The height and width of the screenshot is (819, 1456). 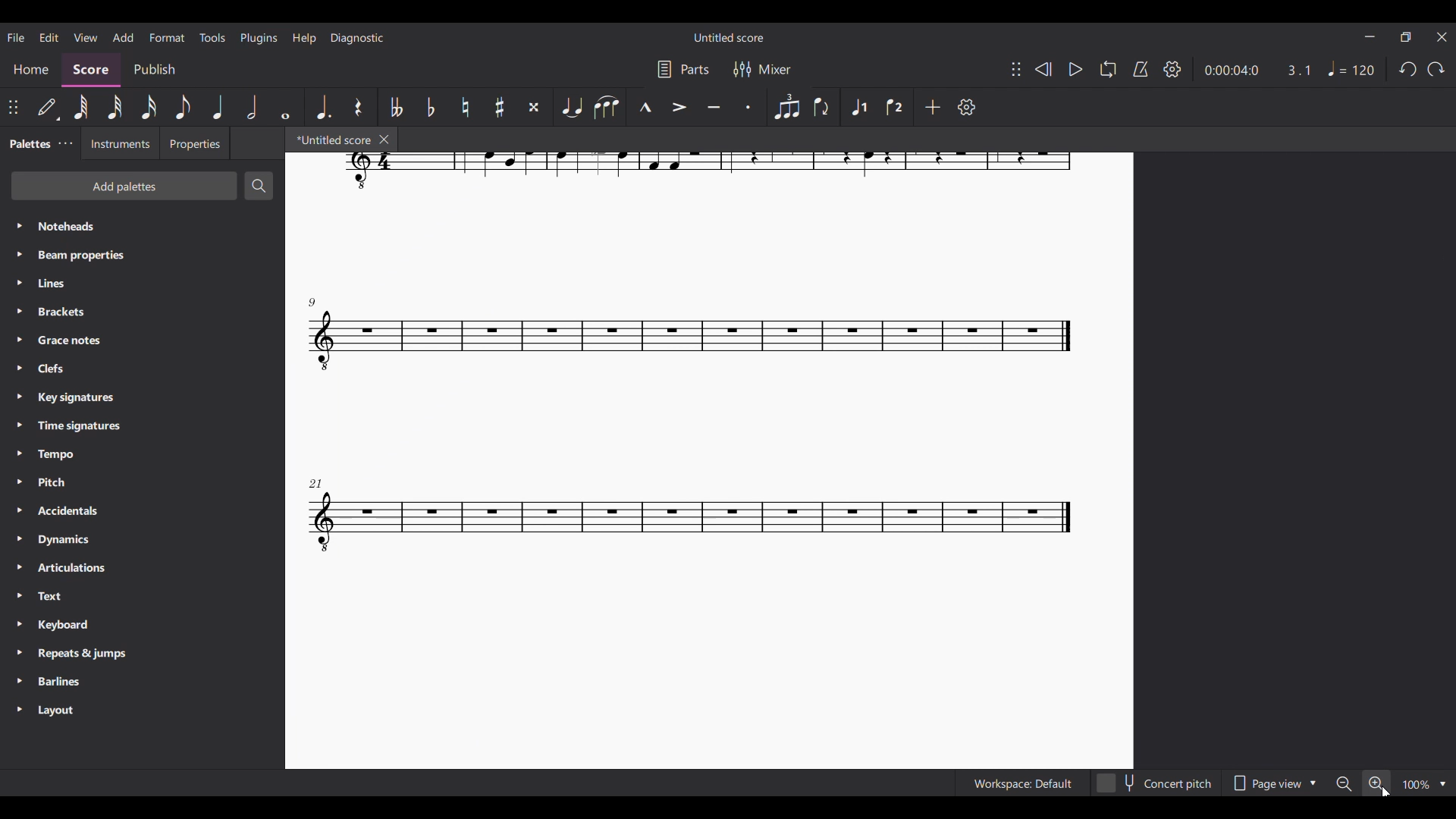 I want to click on Close tab, so click(x=384, y=140).